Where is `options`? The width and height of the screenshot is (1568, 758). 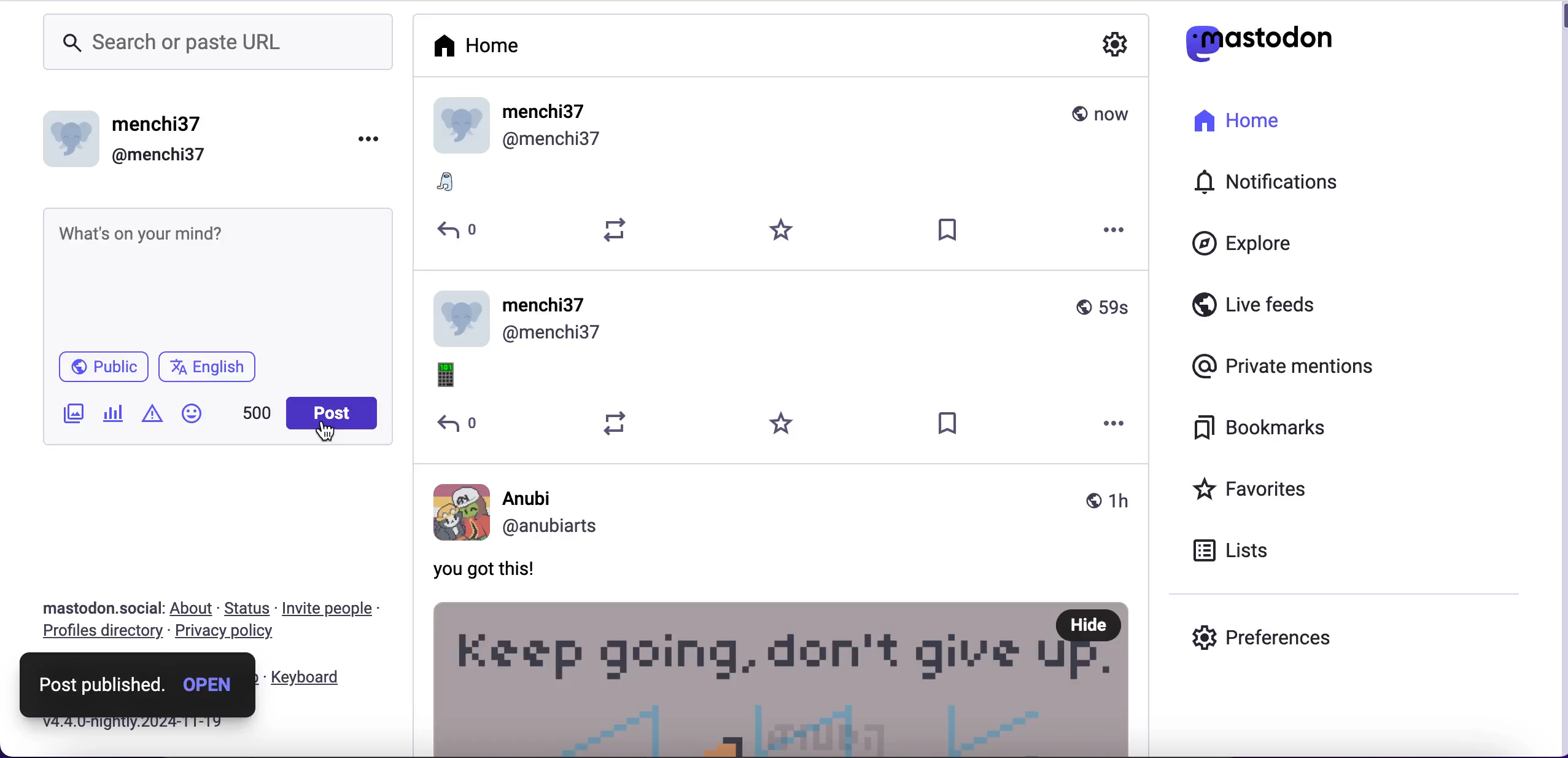 options is located at coordinates (370, 139).